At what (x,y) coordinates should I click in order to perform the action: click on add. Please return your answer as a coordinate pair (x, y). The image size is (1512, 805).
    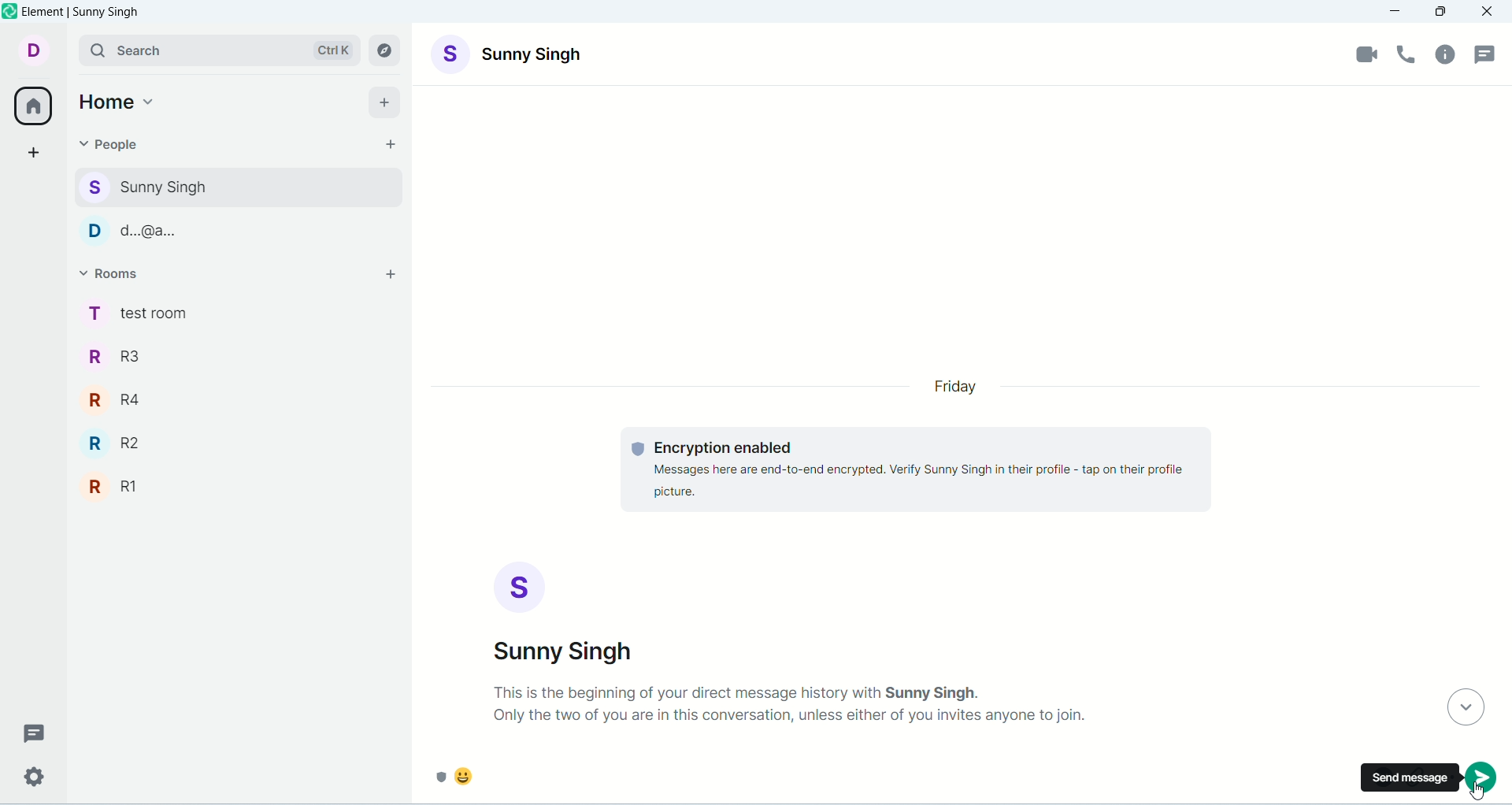
    Looking at the image, I should click on (389, 101).